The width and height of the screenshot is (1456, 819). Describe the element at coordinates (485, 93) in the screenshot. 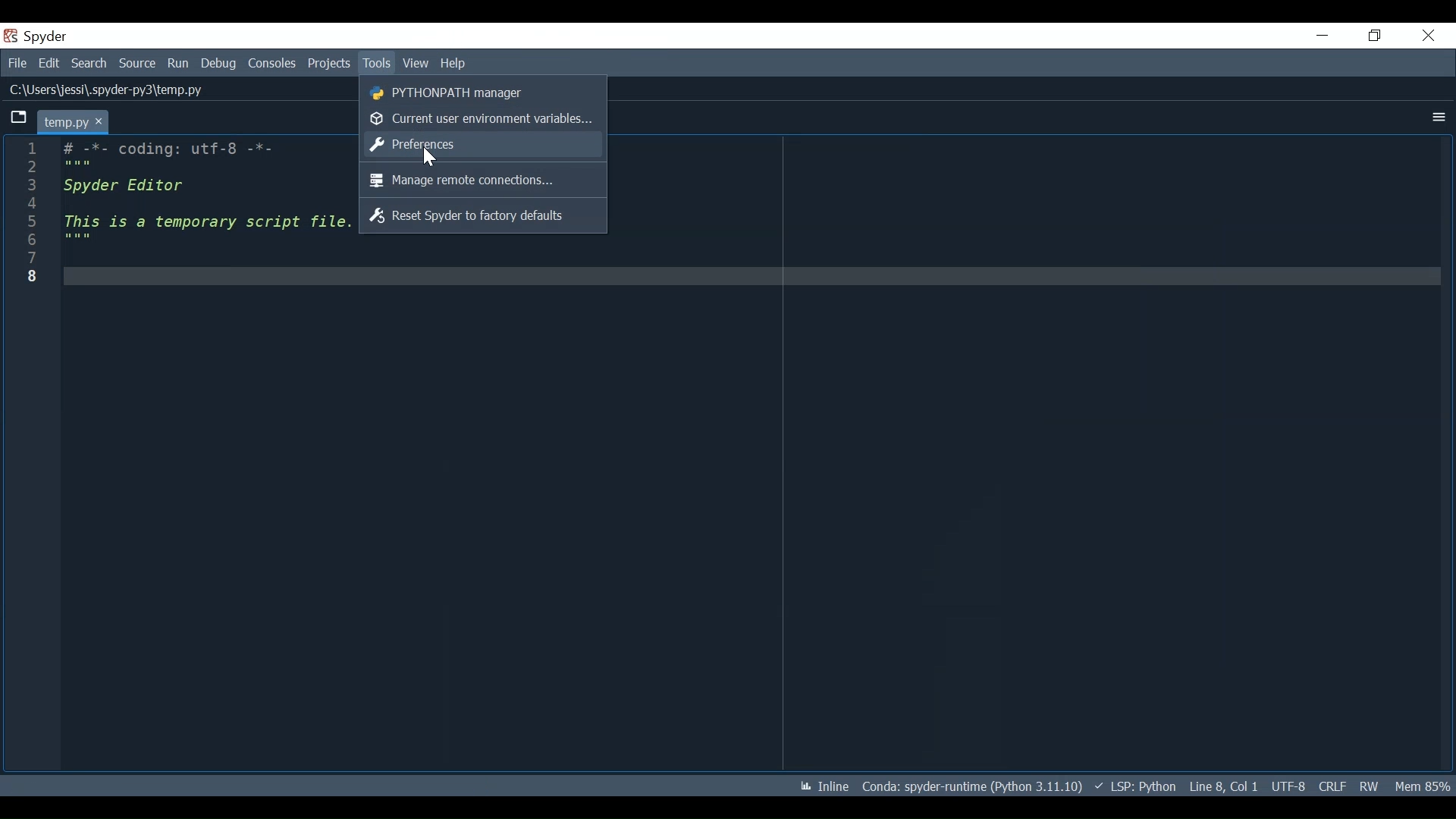

I see `PYTHONPATH Manager` at that location.